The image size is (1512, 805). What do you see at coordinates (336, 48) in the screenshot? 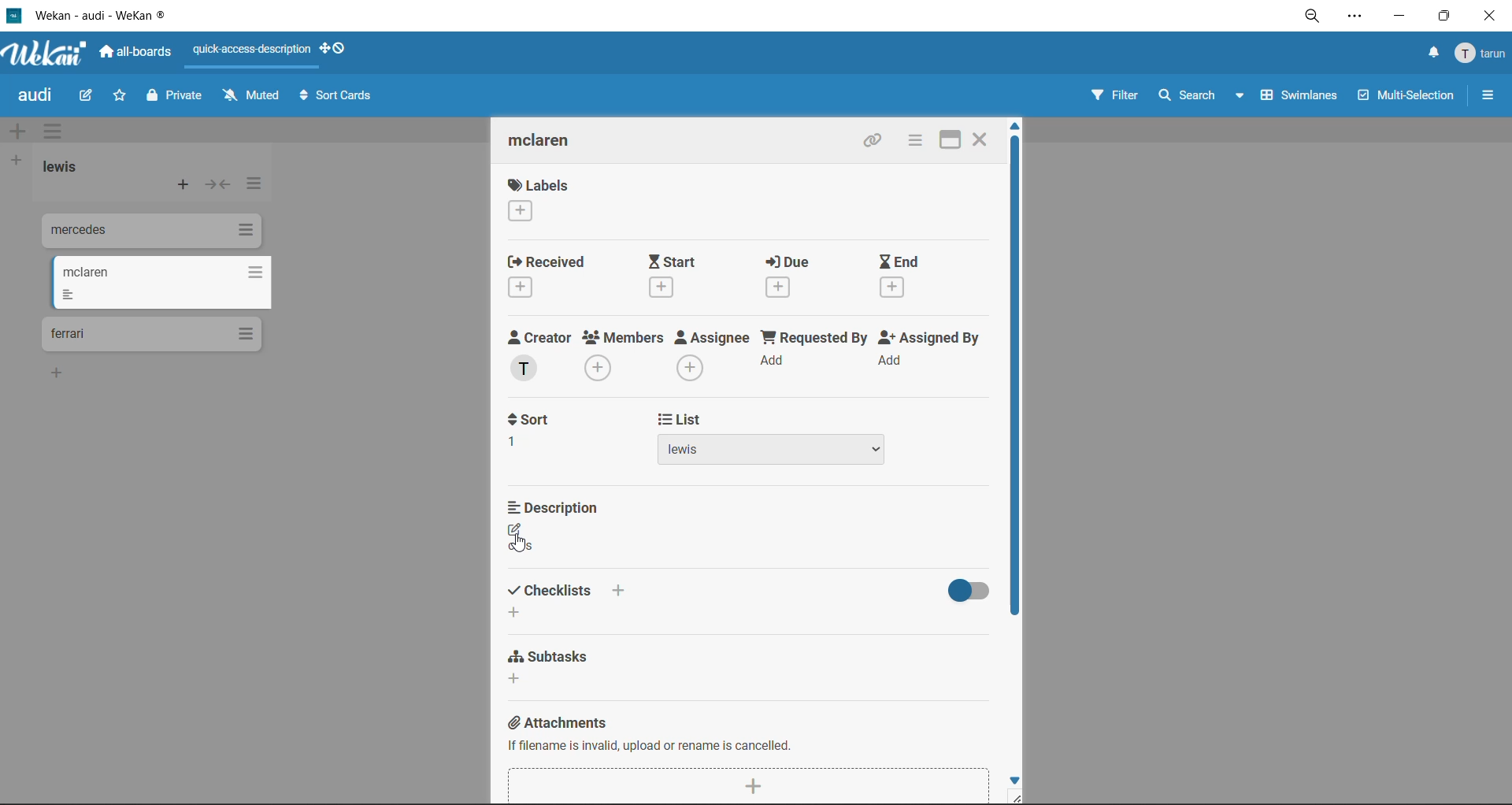
I see `show desktop drag handles` at bounding box center [336, 48].